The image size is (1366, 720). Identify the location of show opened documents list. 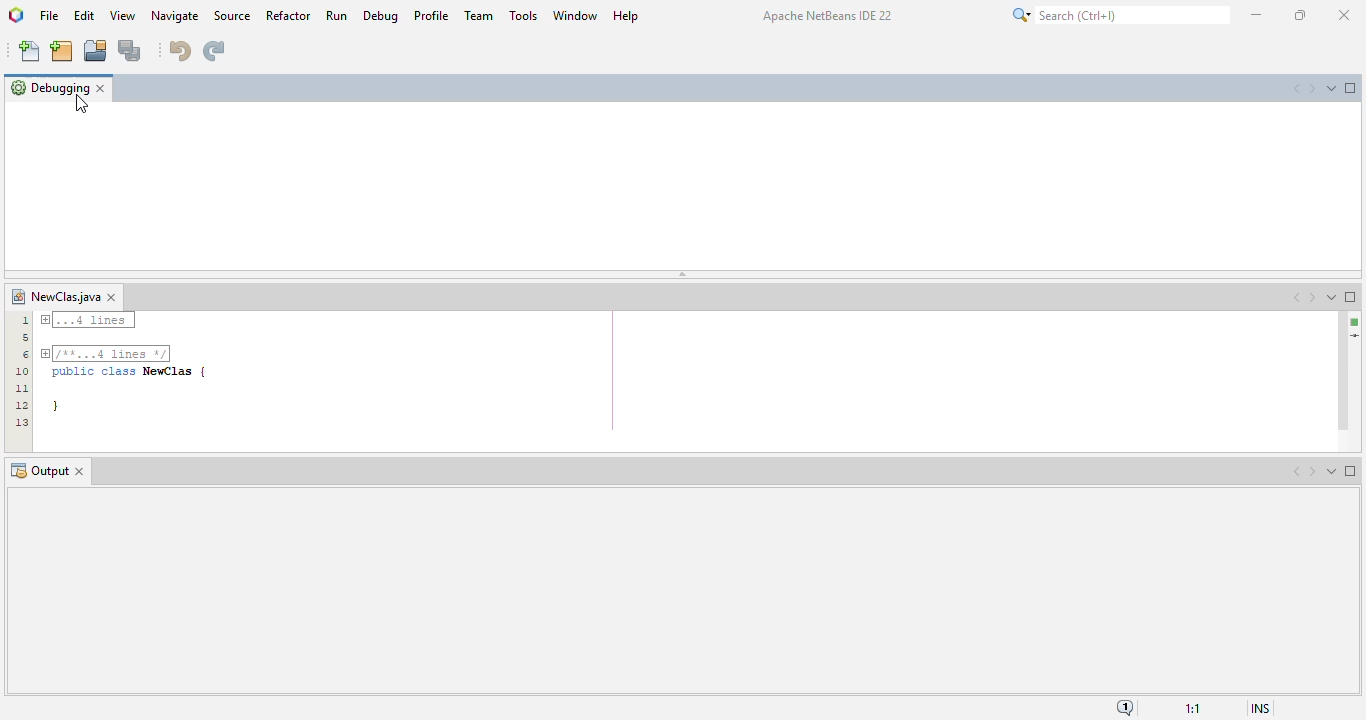
(1332, 297).